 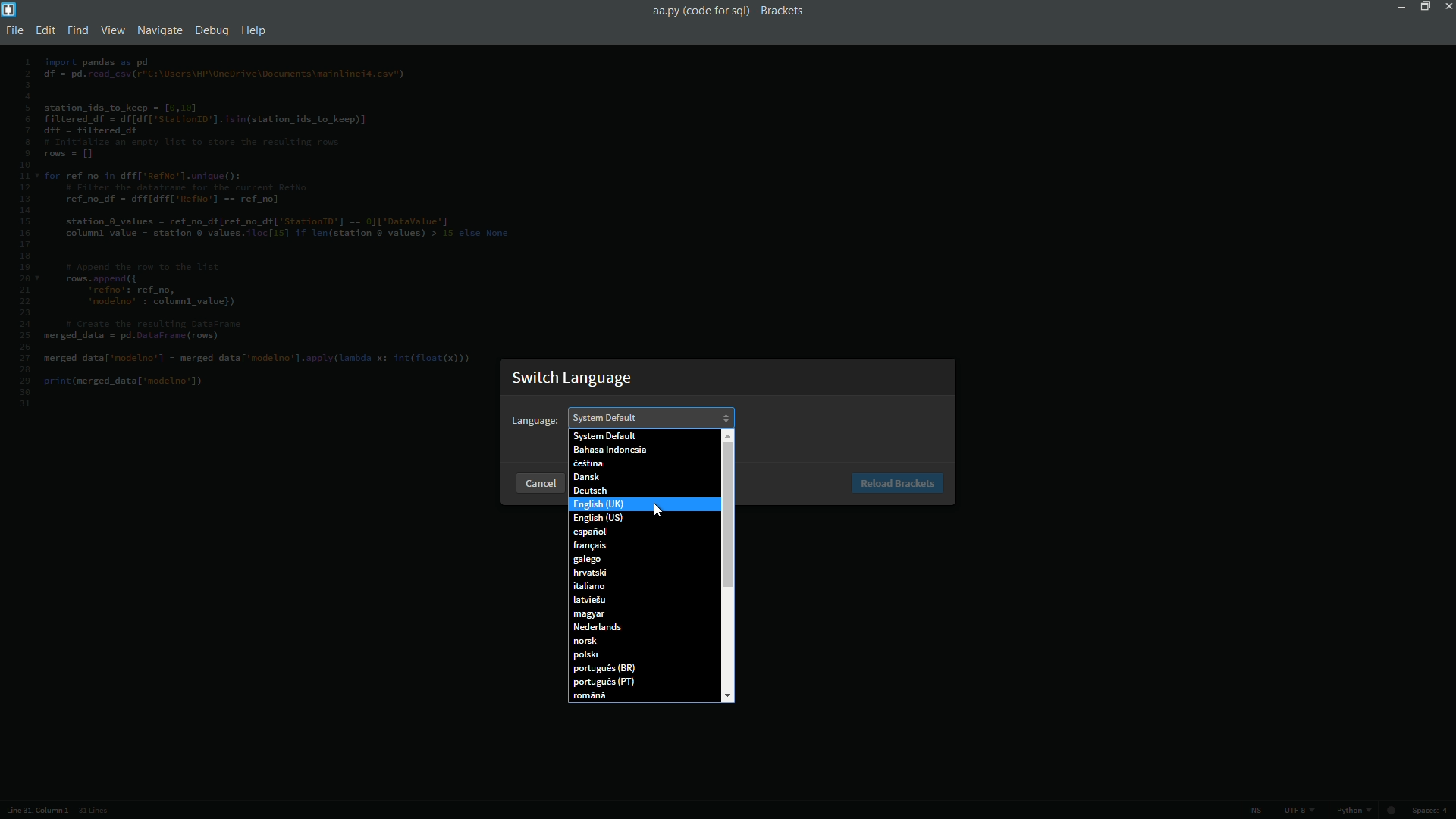 I want to click on language-2, so click(x=587, y=465).